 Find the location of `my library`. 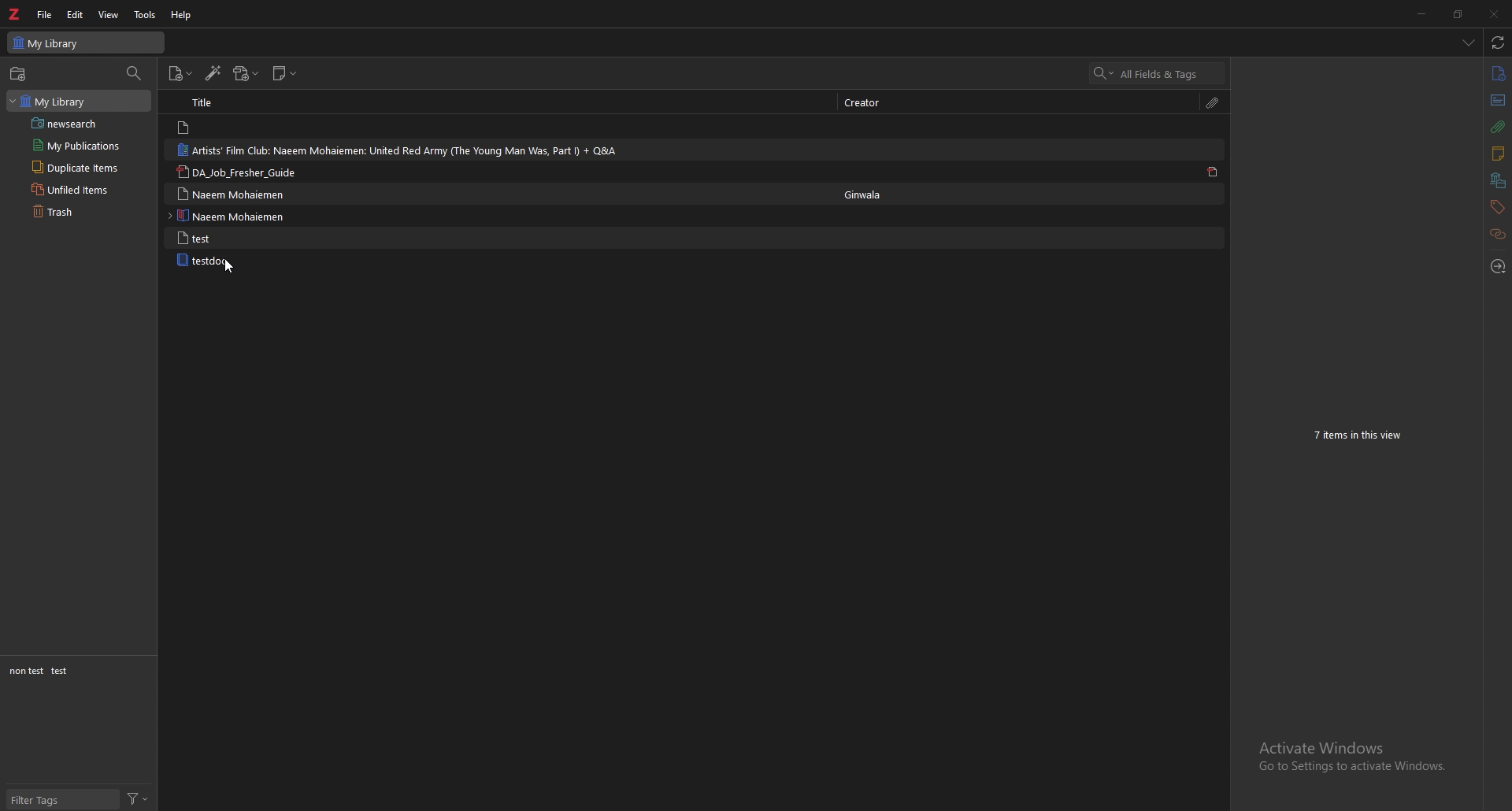

my library is located at coordinates (86, 42).